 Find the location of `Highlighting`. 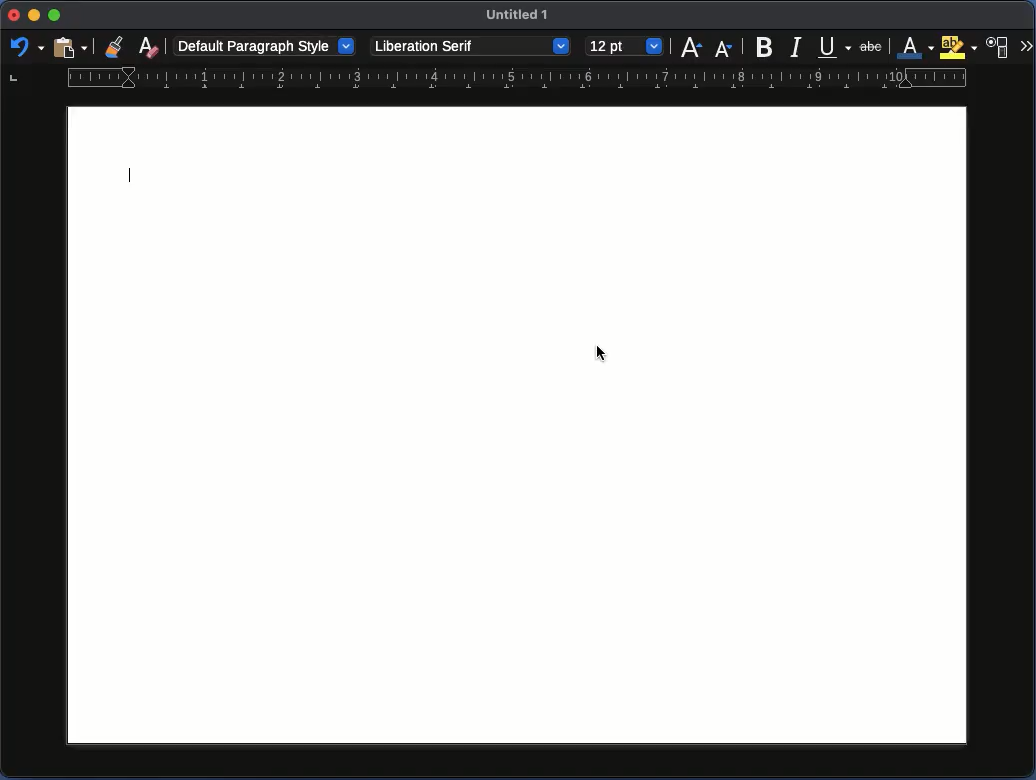

Highlighting is located at coordinates (960, 47).